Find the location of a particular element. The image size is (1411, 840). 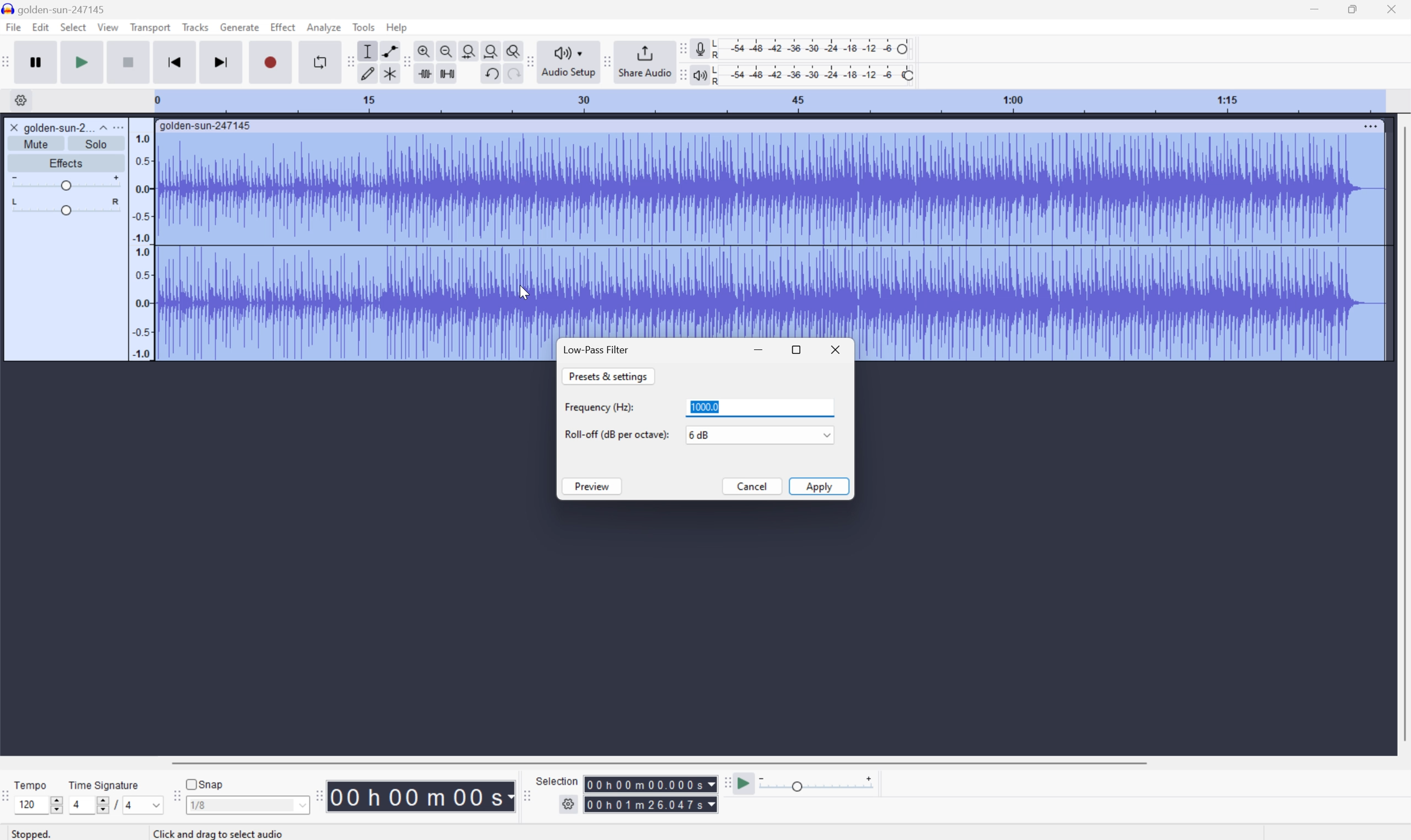

Minimize is located at coordinates (1314, 8).